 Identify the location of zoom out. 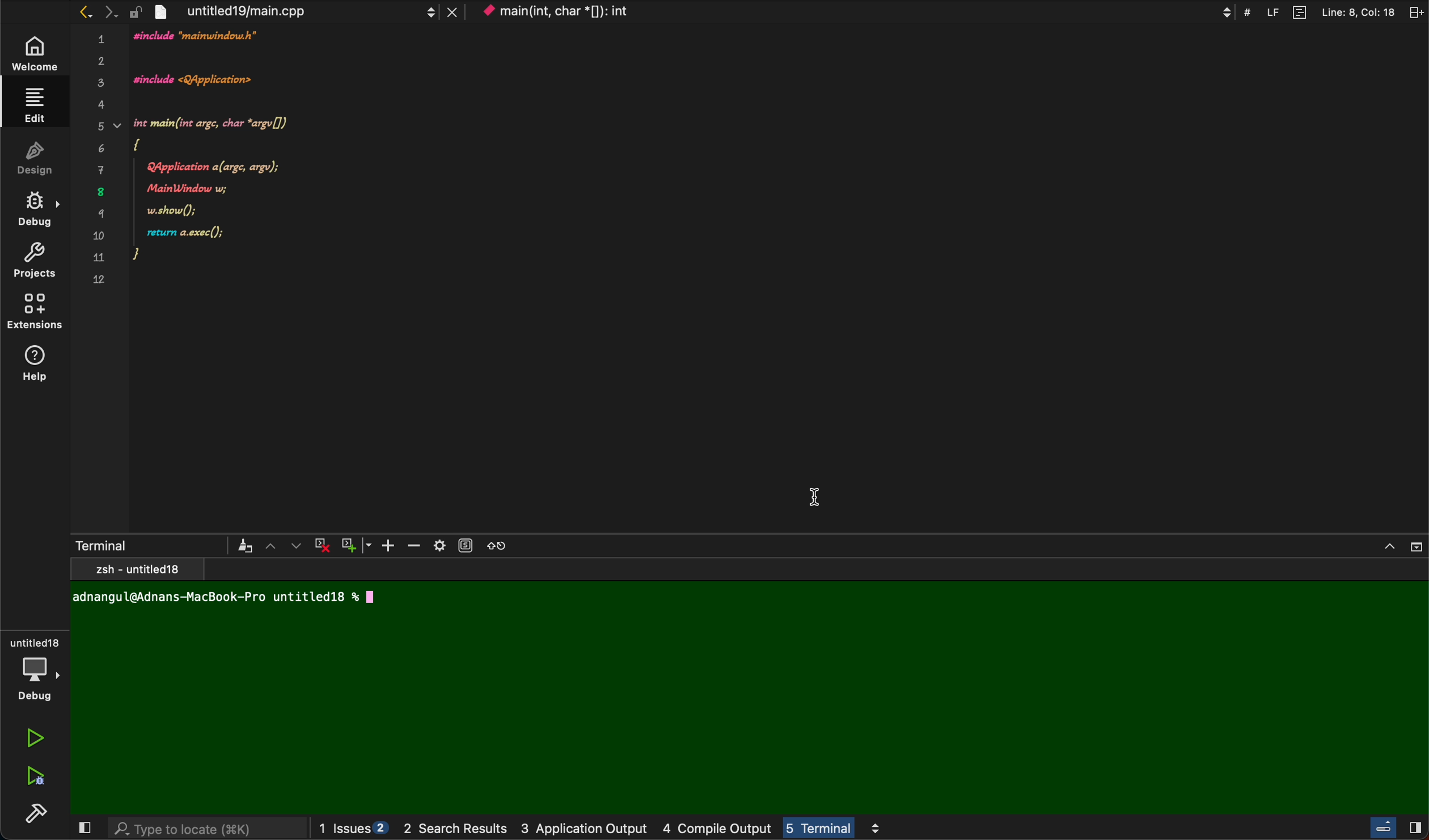
(410, 545).